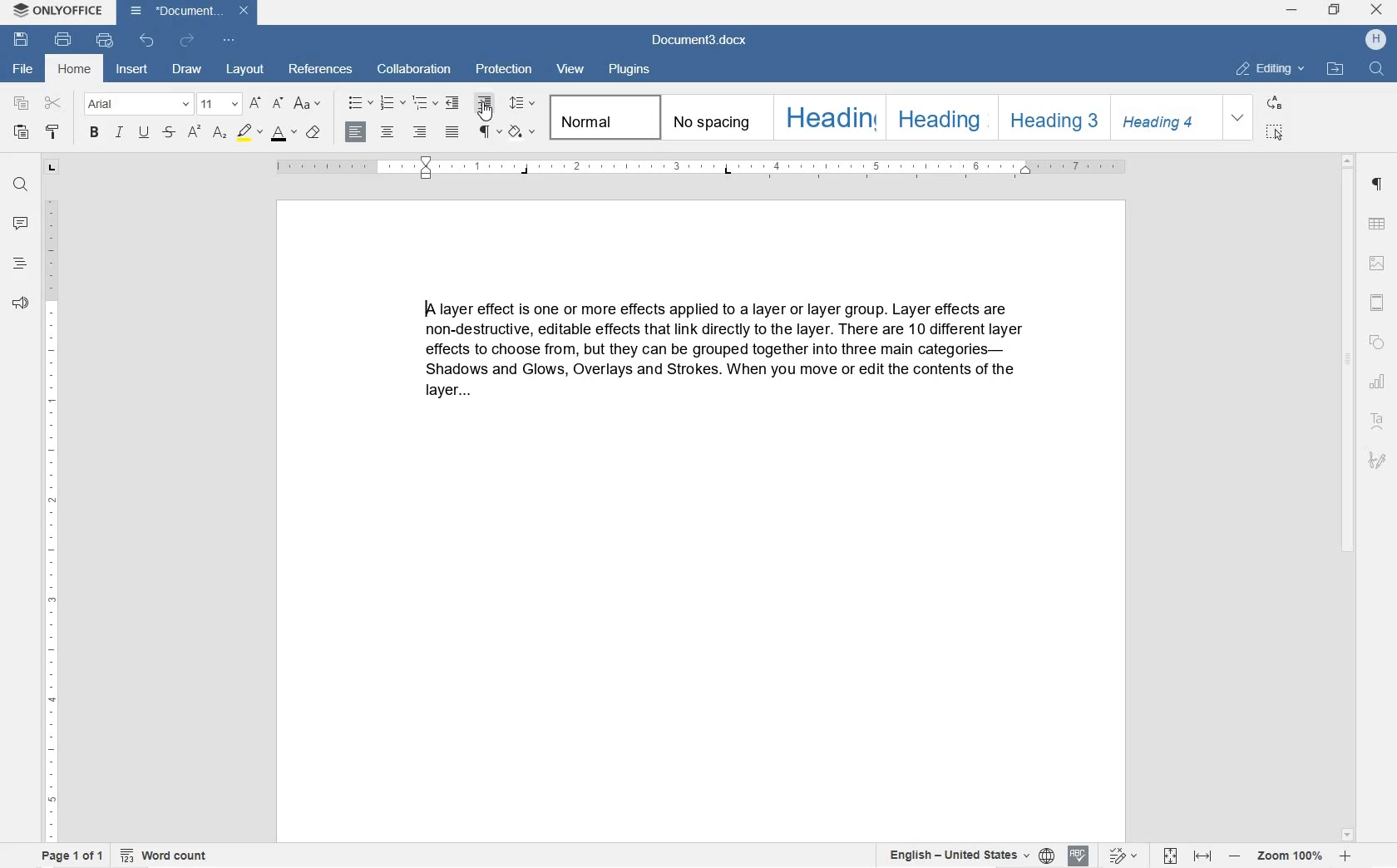 The height and width of the screenshot is (868, 1397). Describe the element at coordinates (1290, 856) in the screenshot. I see `ZOOM IN OR OUT` at that location.